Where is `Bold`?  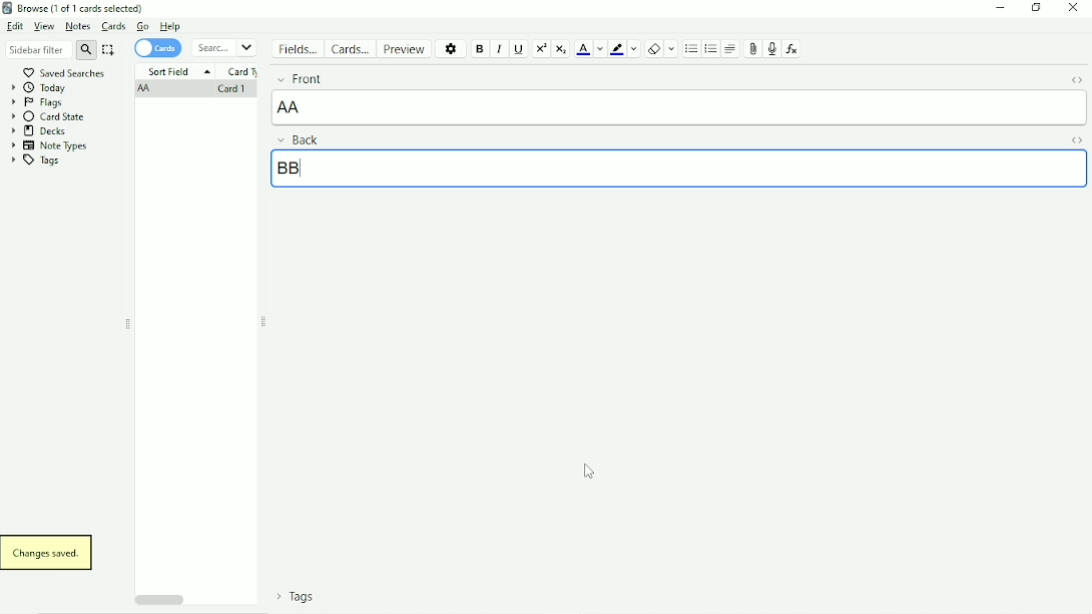 Bold is located at coordinates (480, 50).